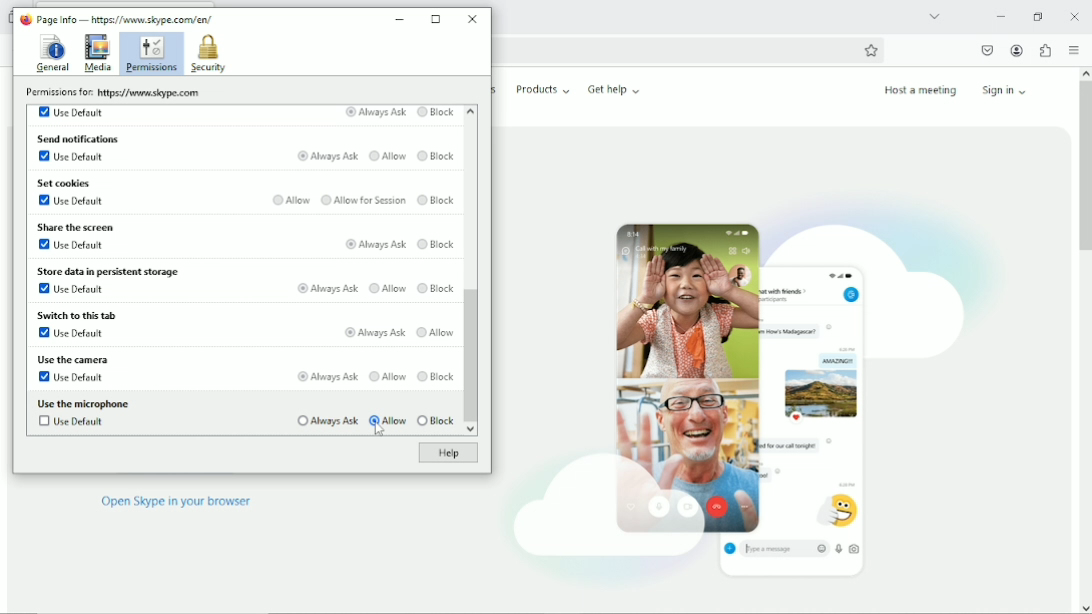 The height and width of the screenshot is (614, 1092). Describe the element at coordinates (329, 156) in the screenshot. I see `Always ask` at that location.